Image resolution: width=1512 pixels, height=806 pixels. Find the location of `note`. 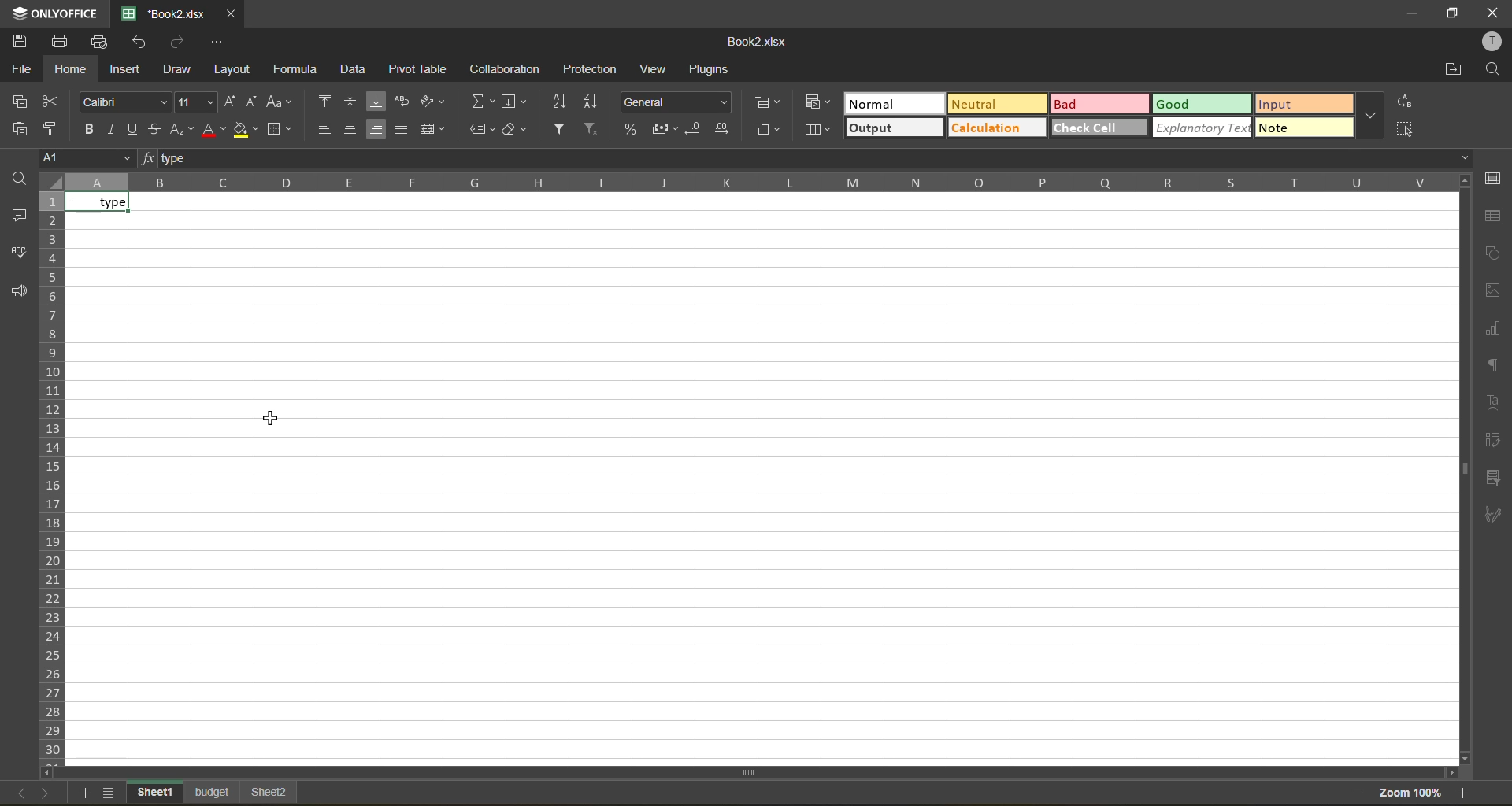

note is located at coordinates (1306, 129).